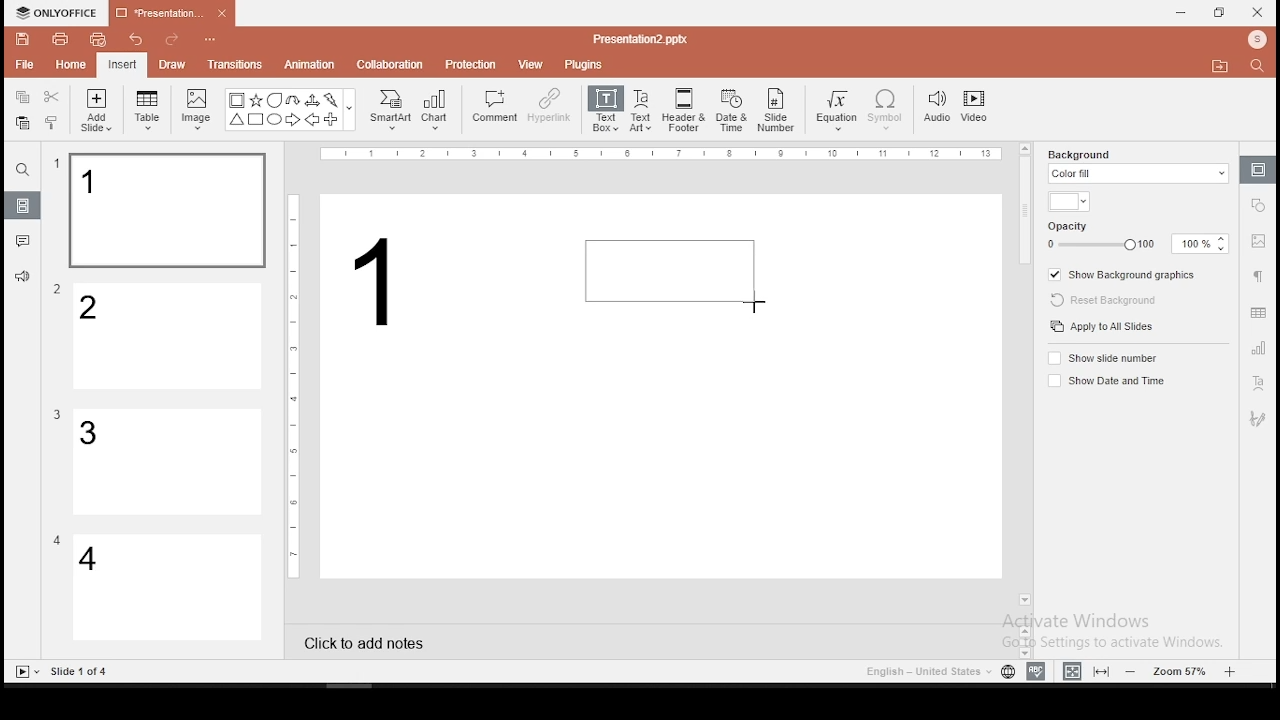  What do you see at coordinates (121, 64) in the screenshot?
I see `insert` at bounding box center [121, 64].